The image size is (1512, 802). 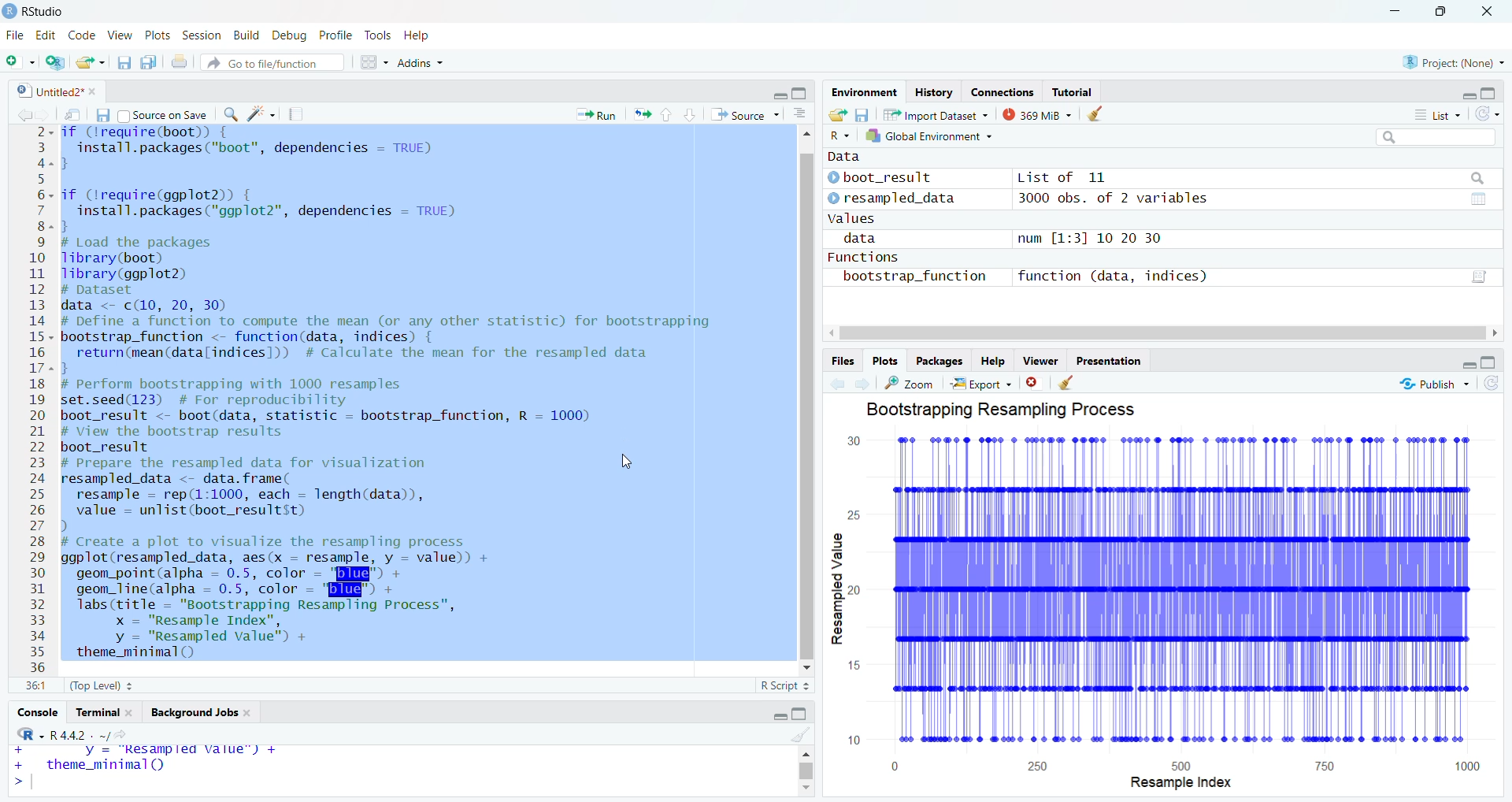 I want to click on  Help, so click(x=417, y=35).